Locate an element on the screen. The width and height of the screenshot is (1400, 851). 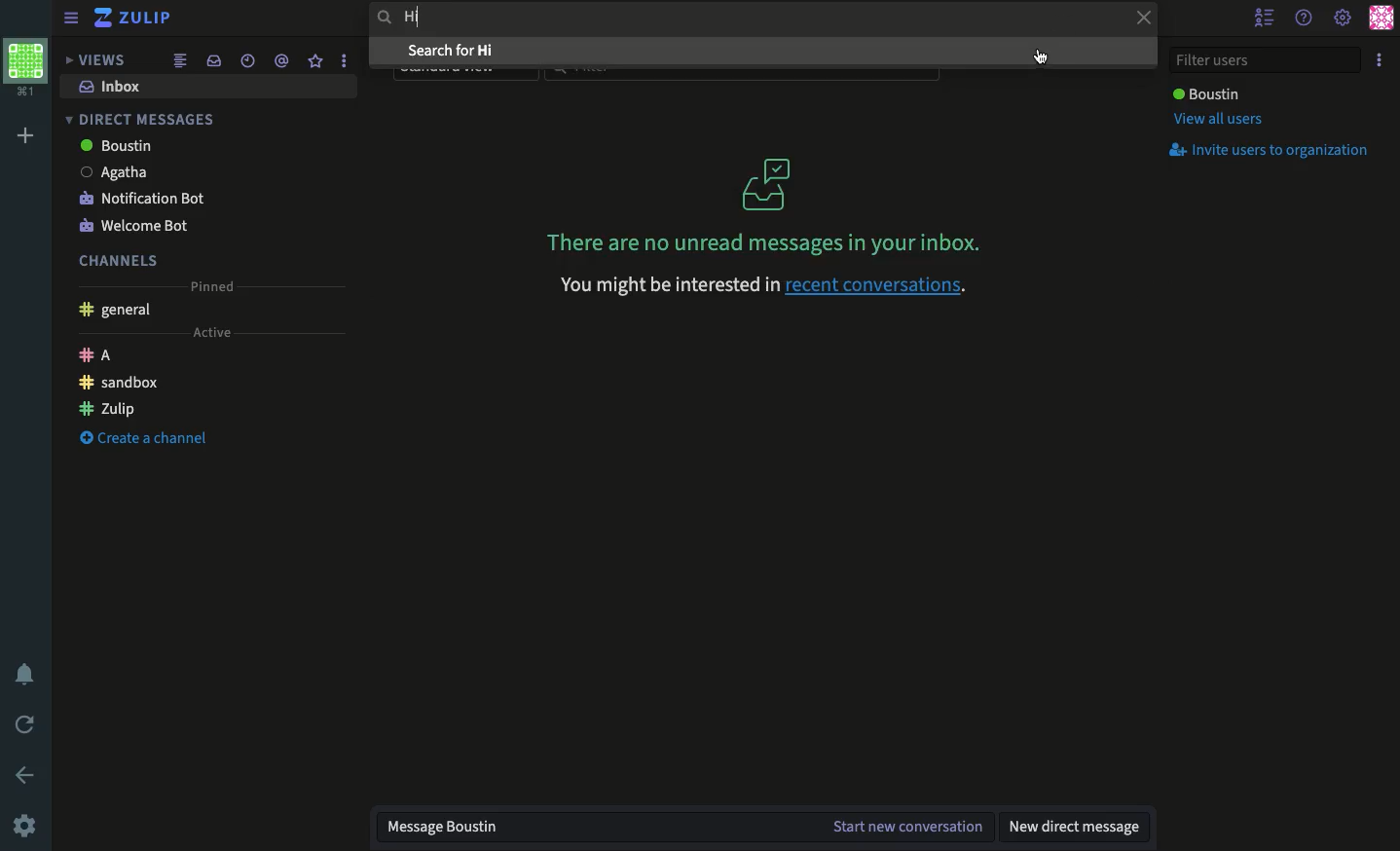
No messages in your inbox is located at coordinates (757, 242).